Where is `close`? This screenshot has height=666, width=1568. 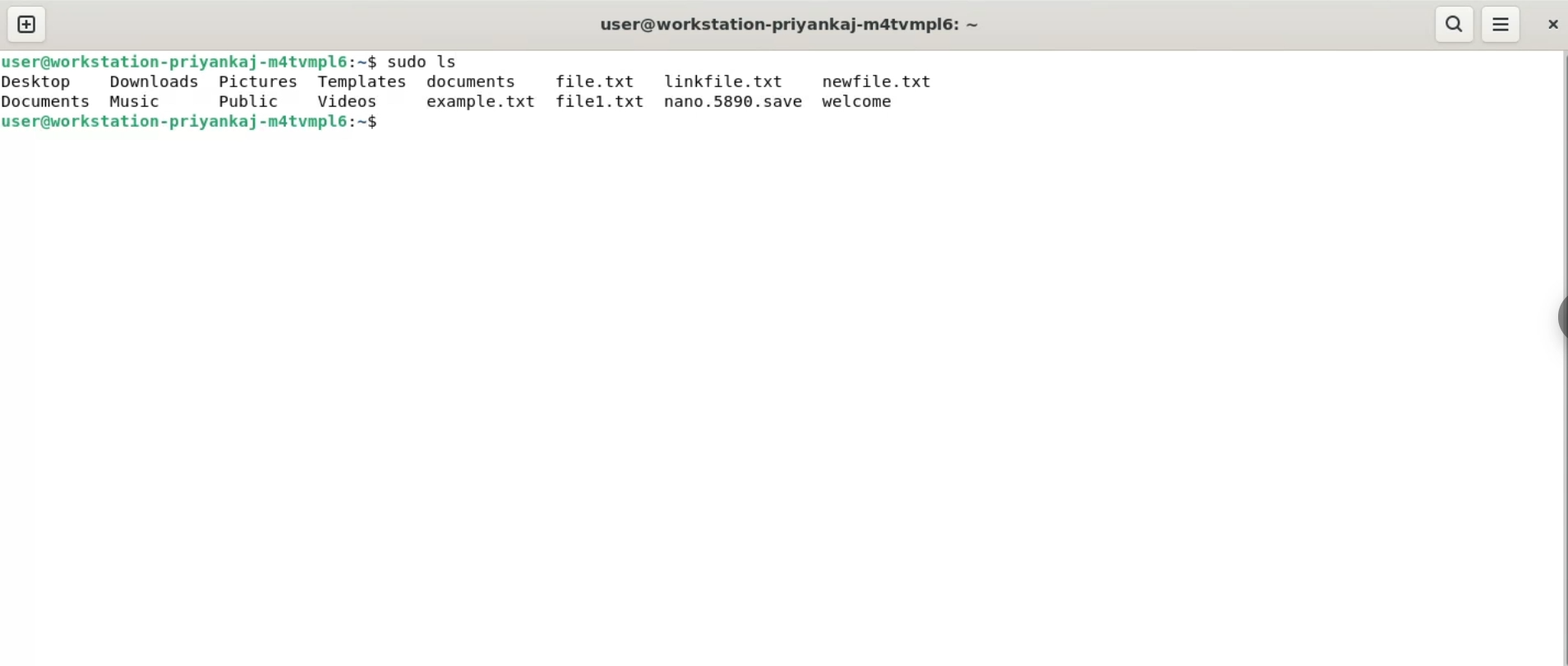 close is located at coordinates (1549, 24).